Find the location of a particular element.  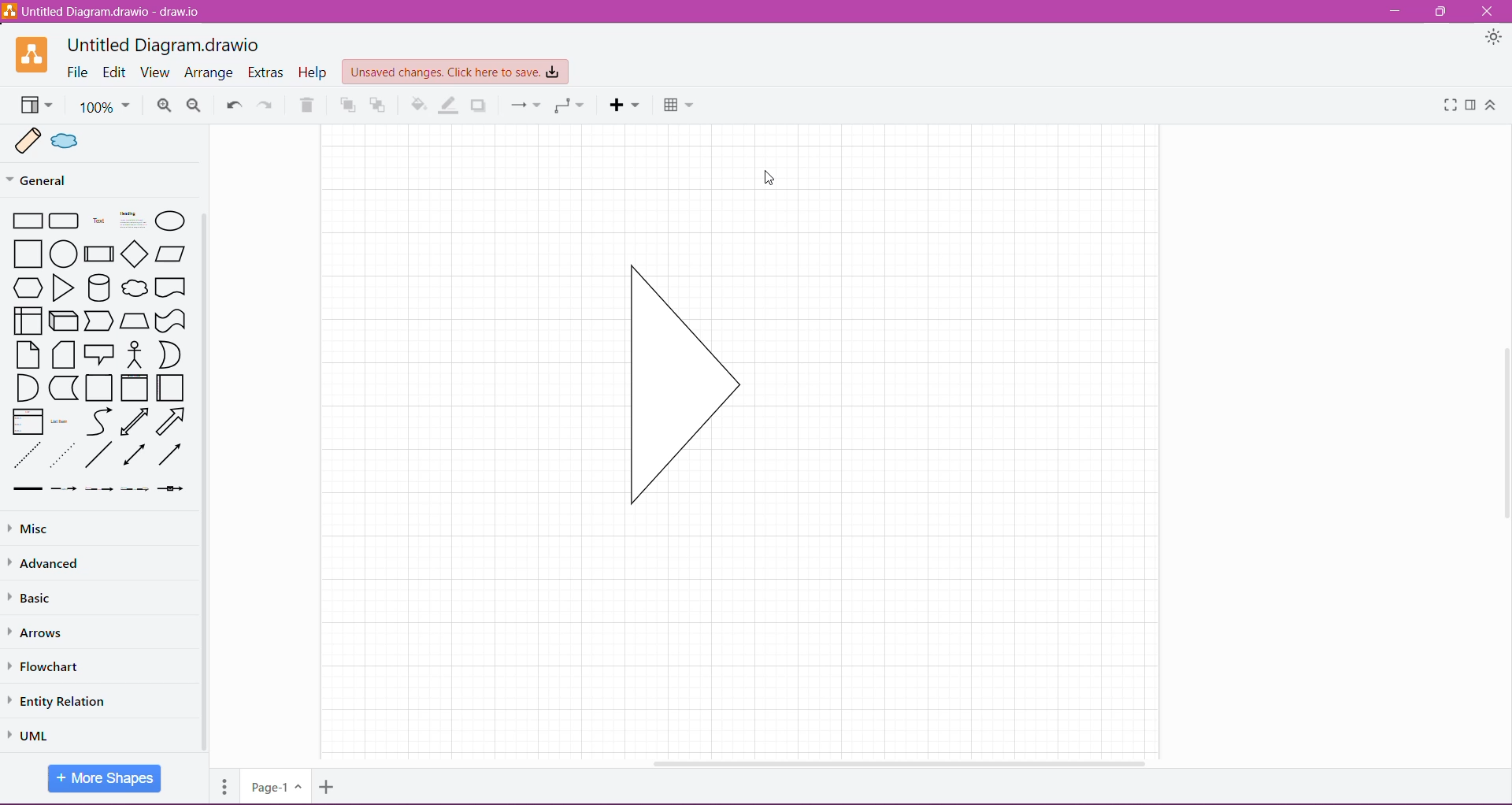

Delete is located at coordinates (308, 106).